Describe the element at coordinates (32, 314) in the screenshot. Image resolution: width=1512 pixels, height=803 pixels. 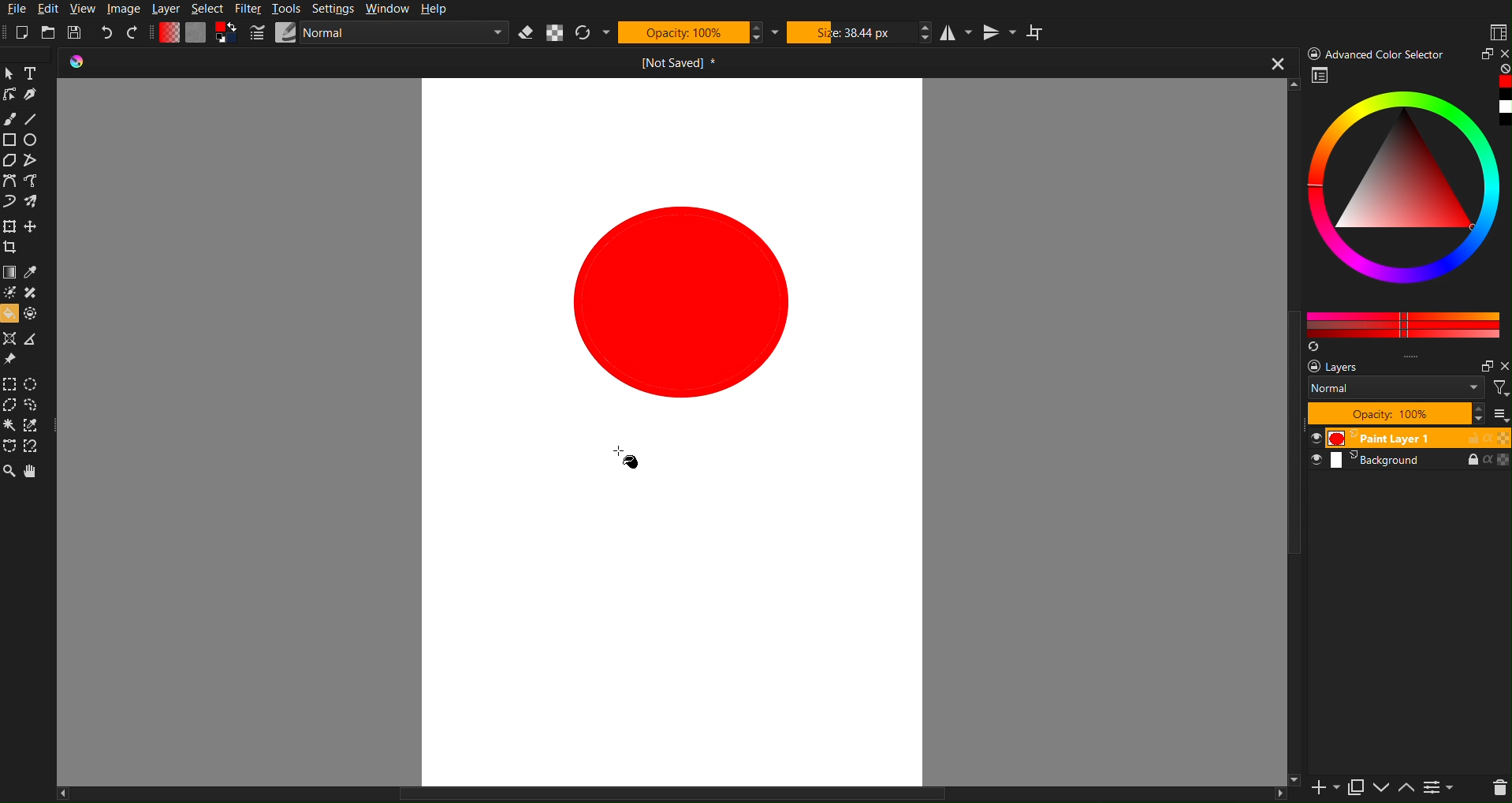
I see `Enclose & Fill` at that location.